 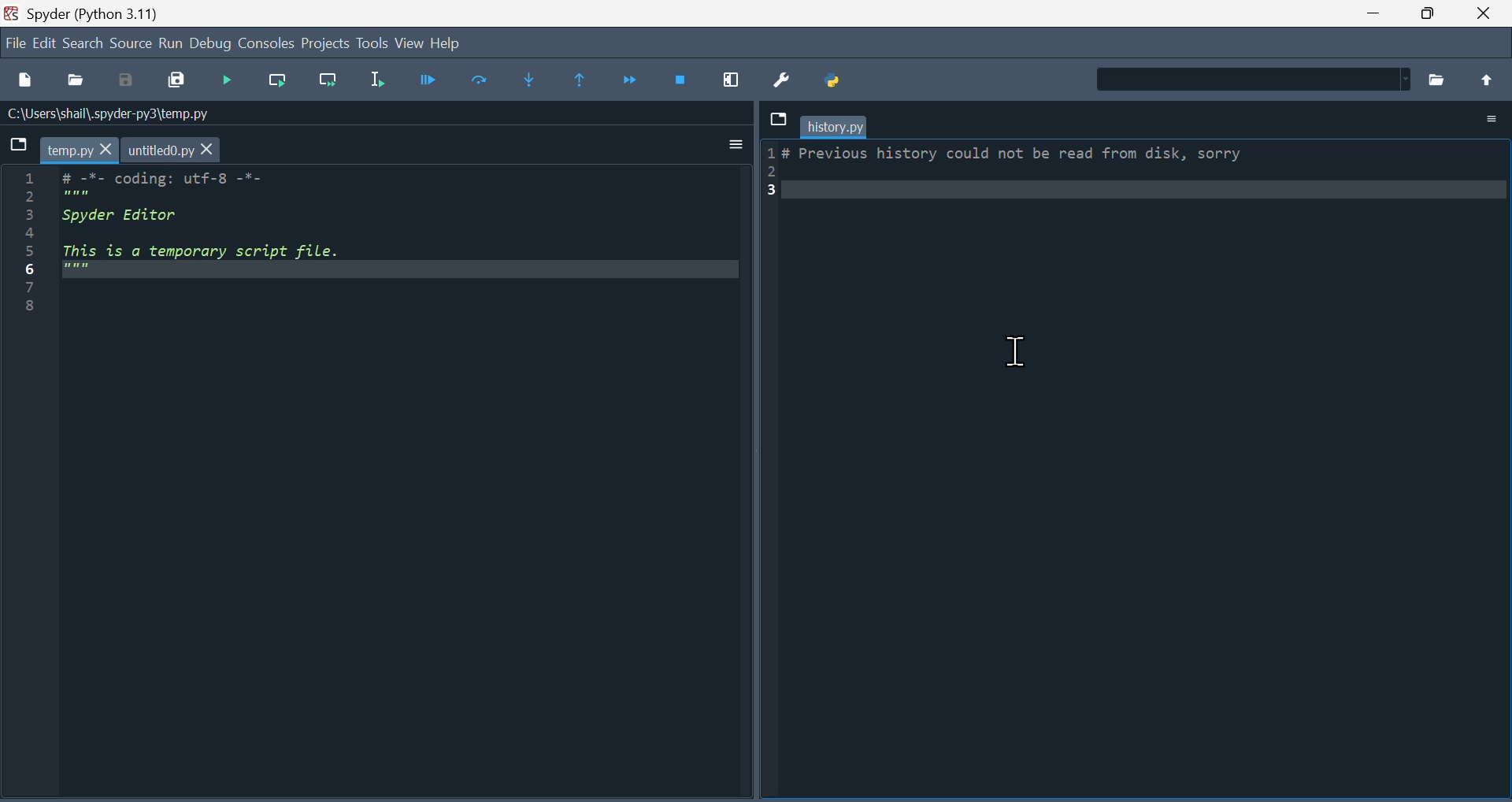 I want to click on Debug file, so click(x=439, y=80).